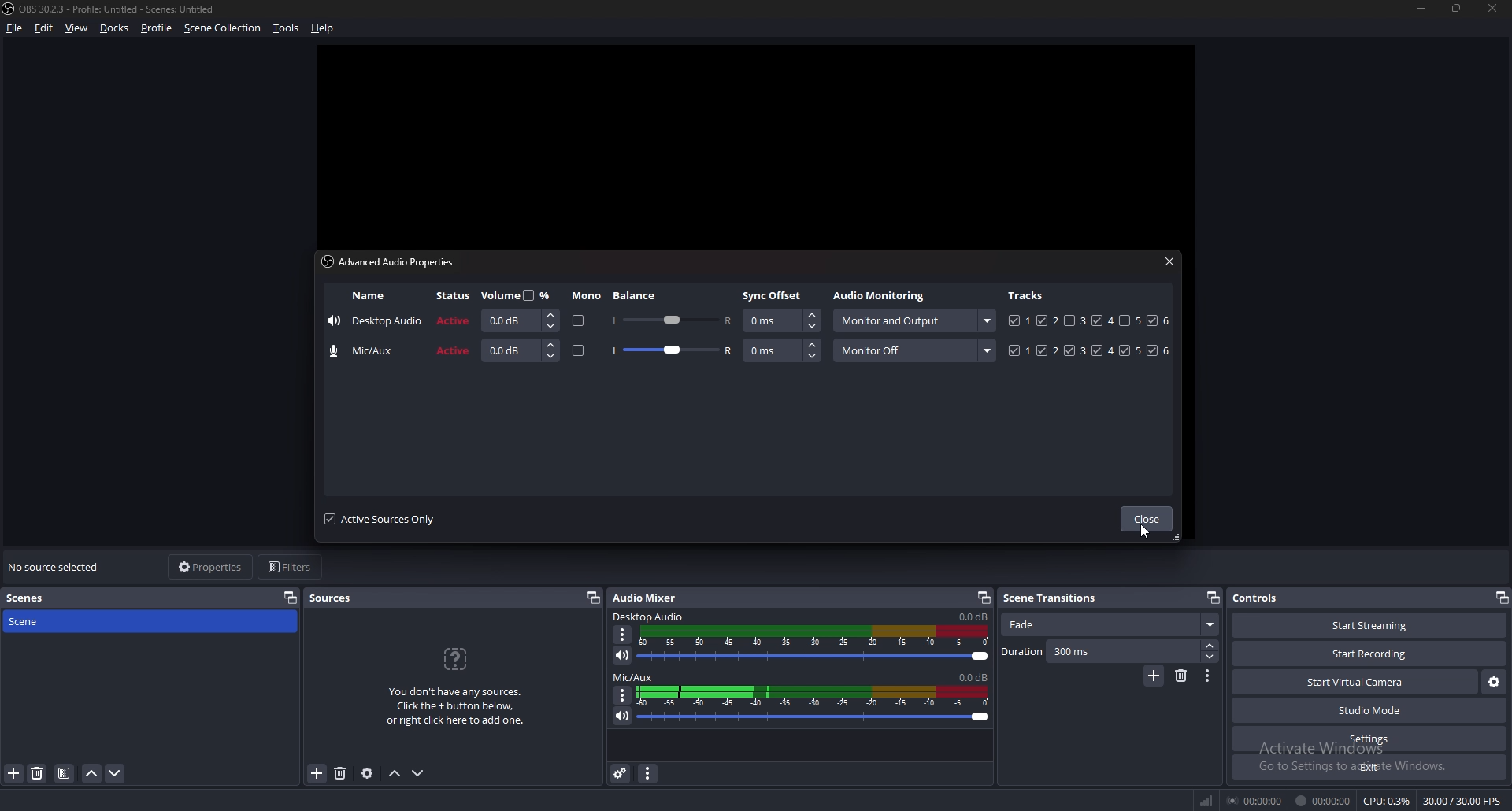  What do you see at coordinates (1209, 798) in the screenshot?
I see `network` at bounding box center [1209, 798].